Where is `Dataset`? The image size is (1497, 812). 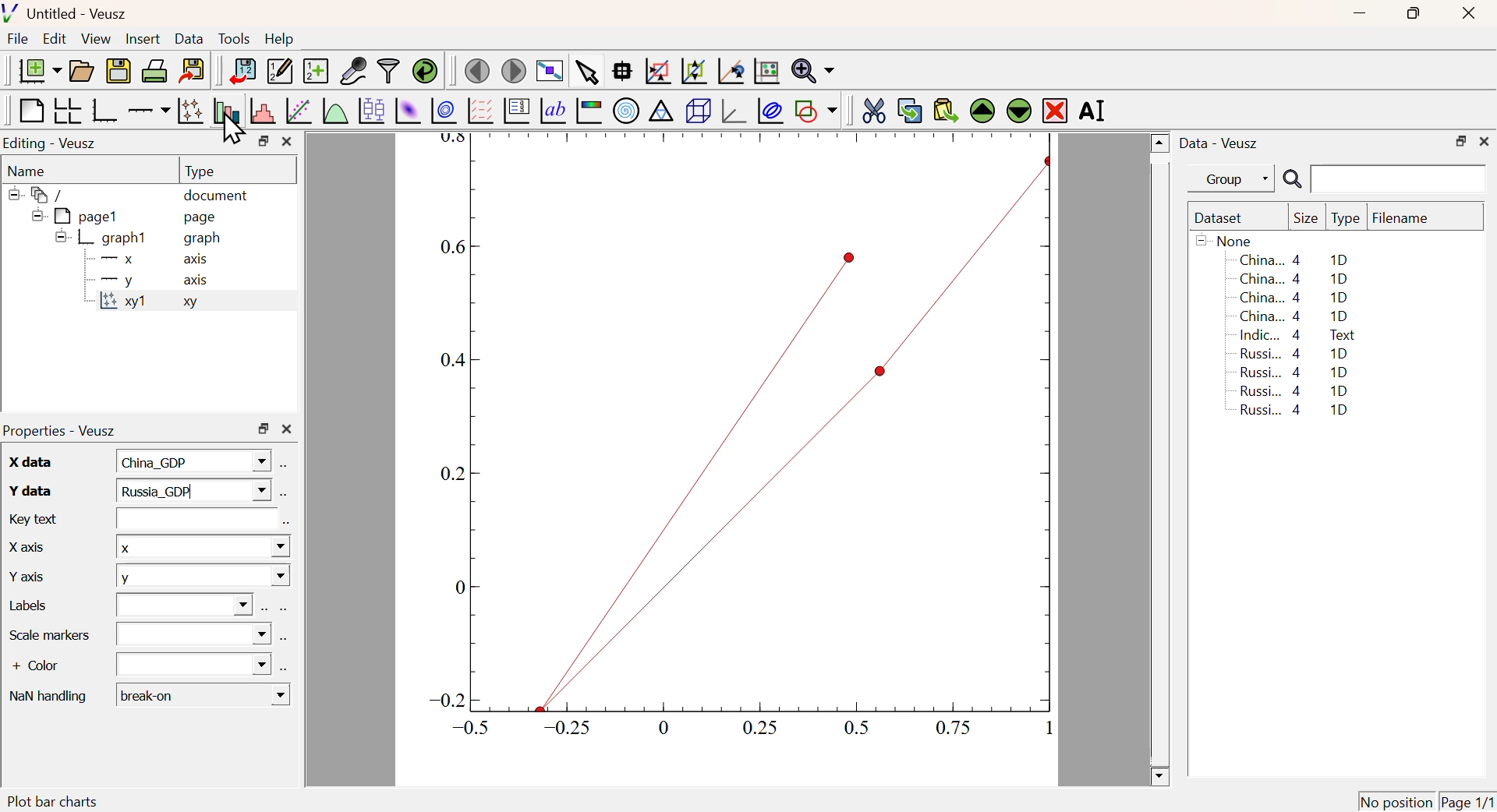
Dataset is located at coordinates (1222, 219).